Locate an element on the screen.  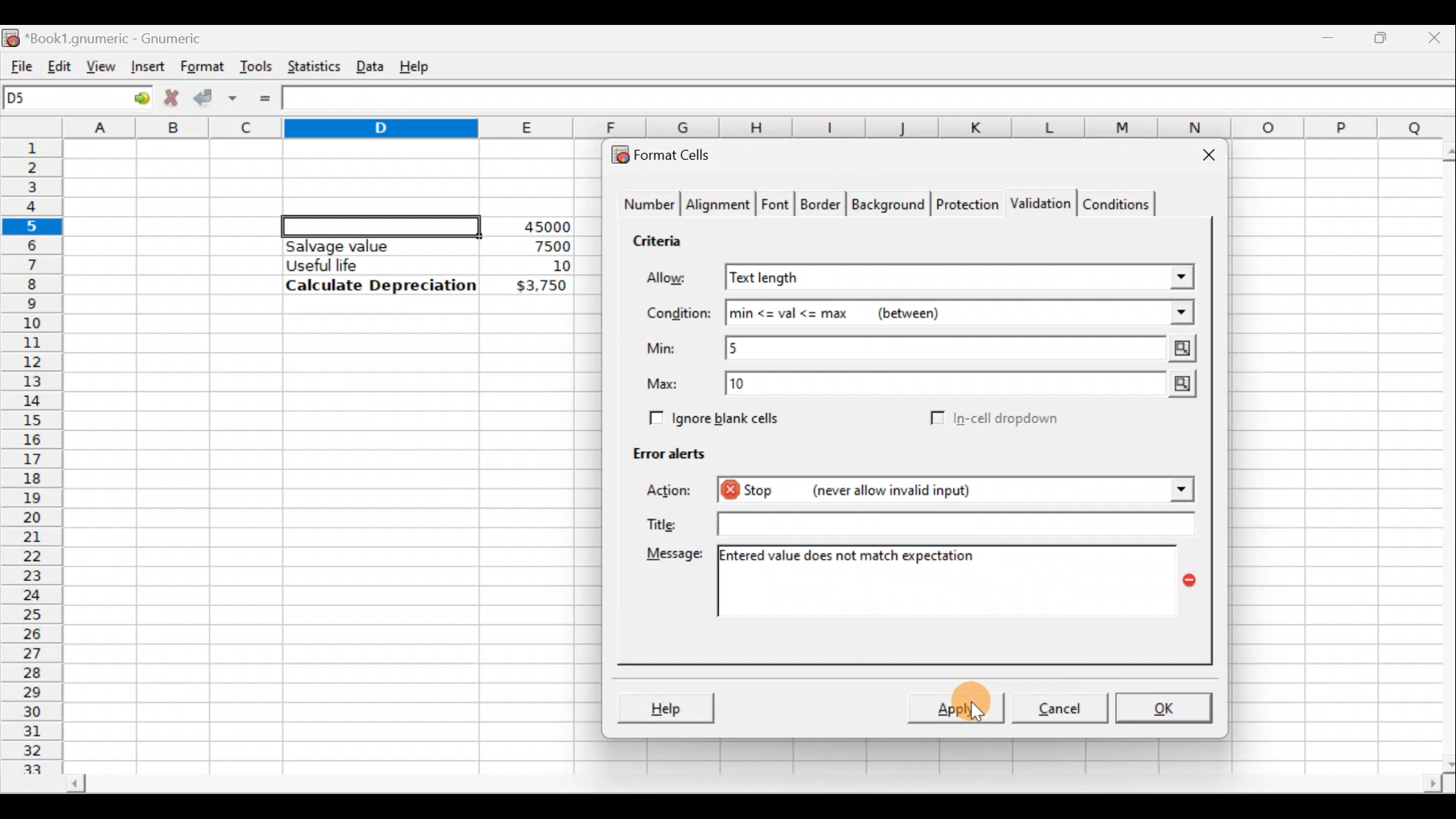
Max is located at coordinates (668, 384).